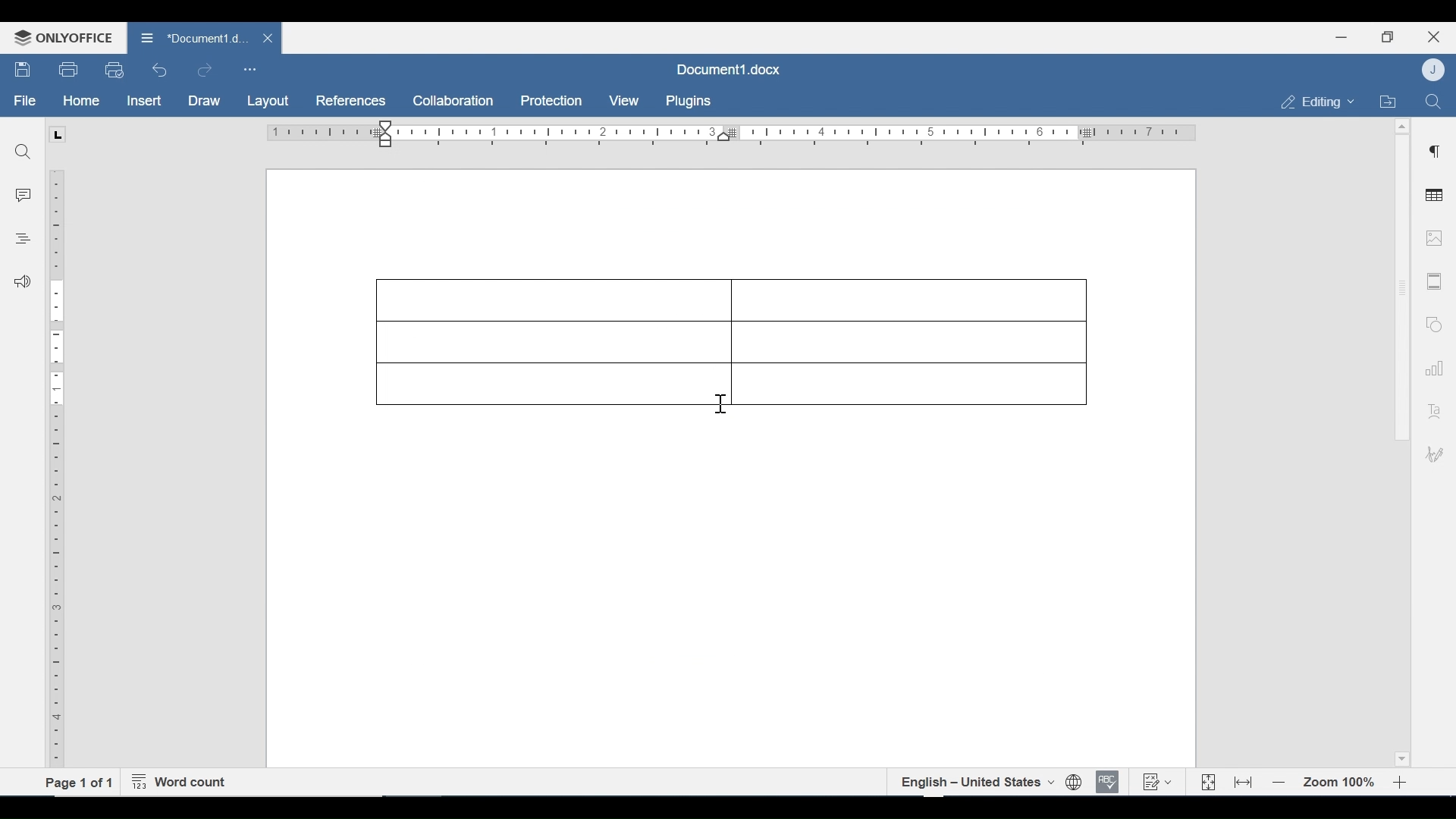 This screenshot has width=1456, height=819. Describe the element at coordinates (24, 152) in the screenshot. I see `Find` at that location.